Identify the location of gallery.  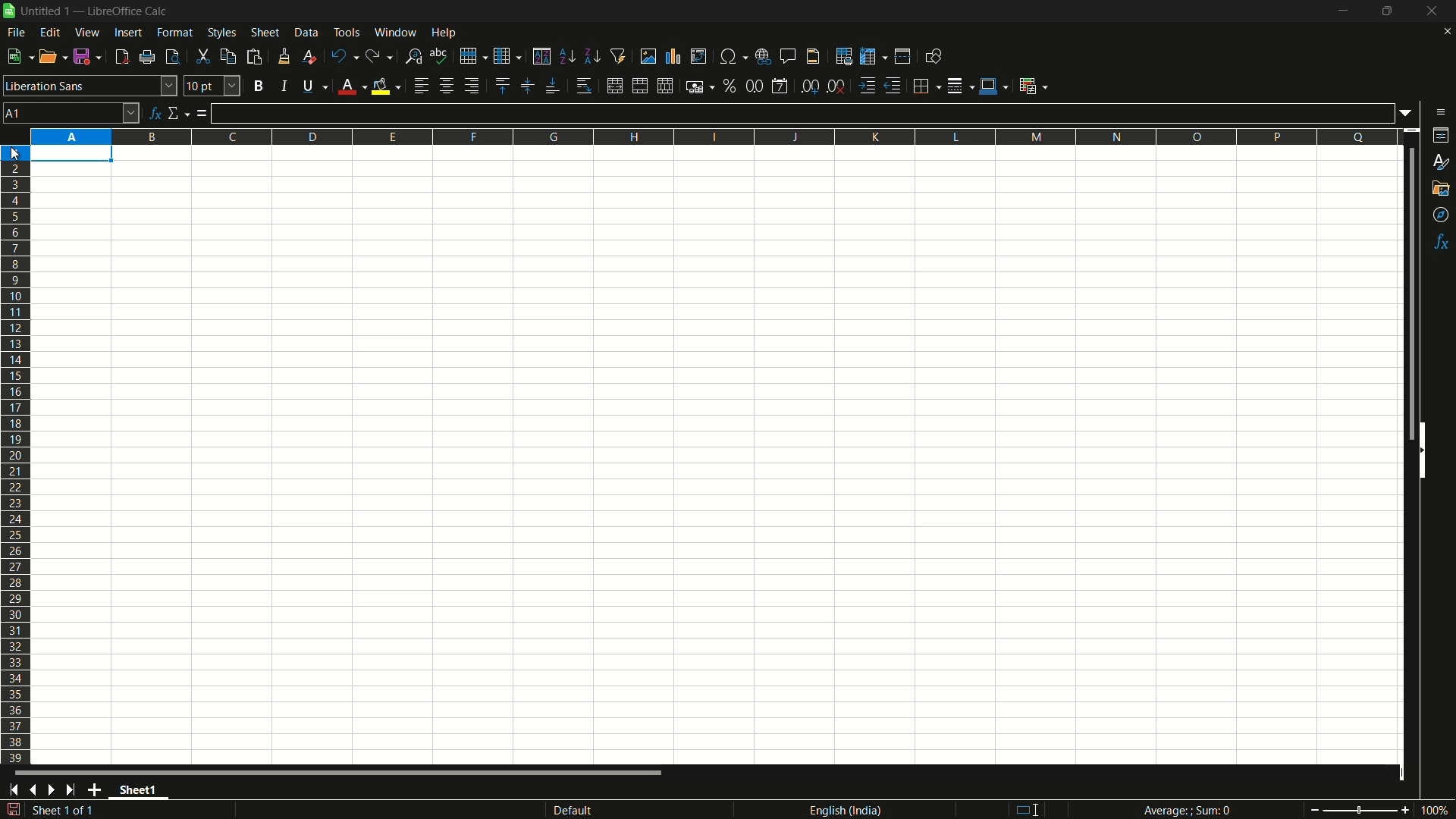
(1442, 188).